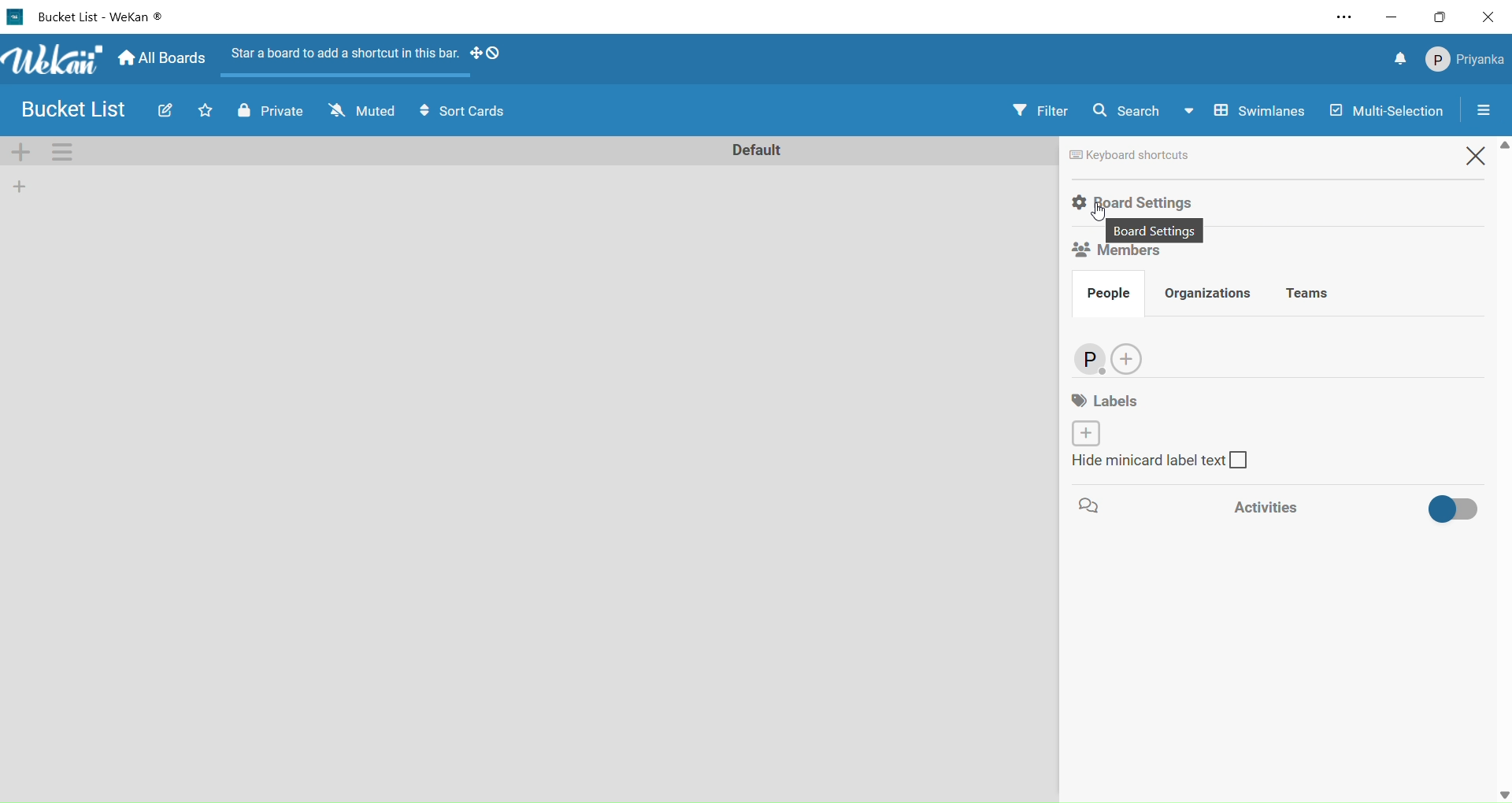  What do you see at coordinates (1099, 401) in the screenshot?
I see `labels` at bounding box center [1099, 401].